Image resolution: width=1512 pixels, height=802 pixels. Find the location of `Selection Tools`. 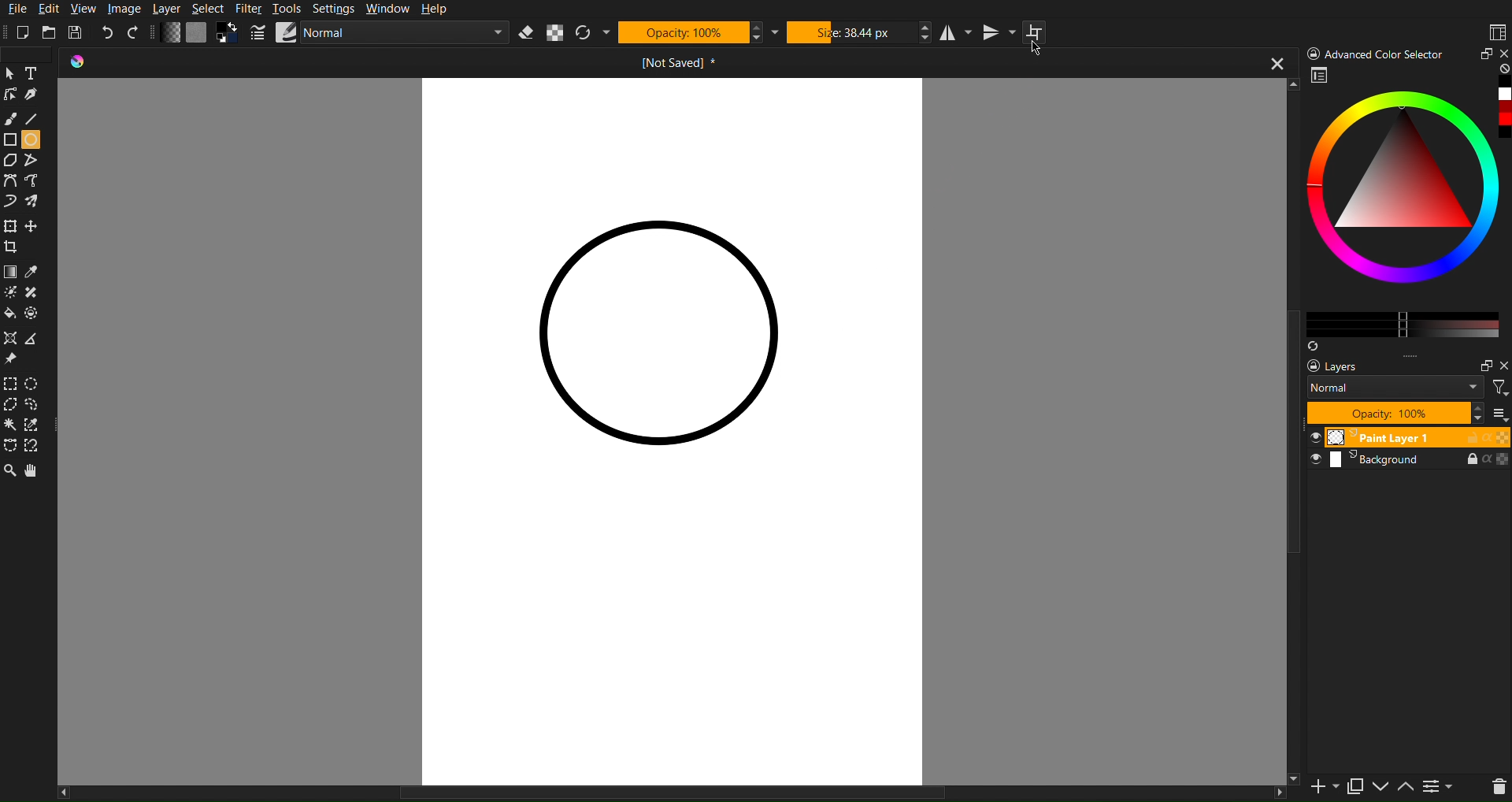

Selection Tools is located at coordinates (10, 382).